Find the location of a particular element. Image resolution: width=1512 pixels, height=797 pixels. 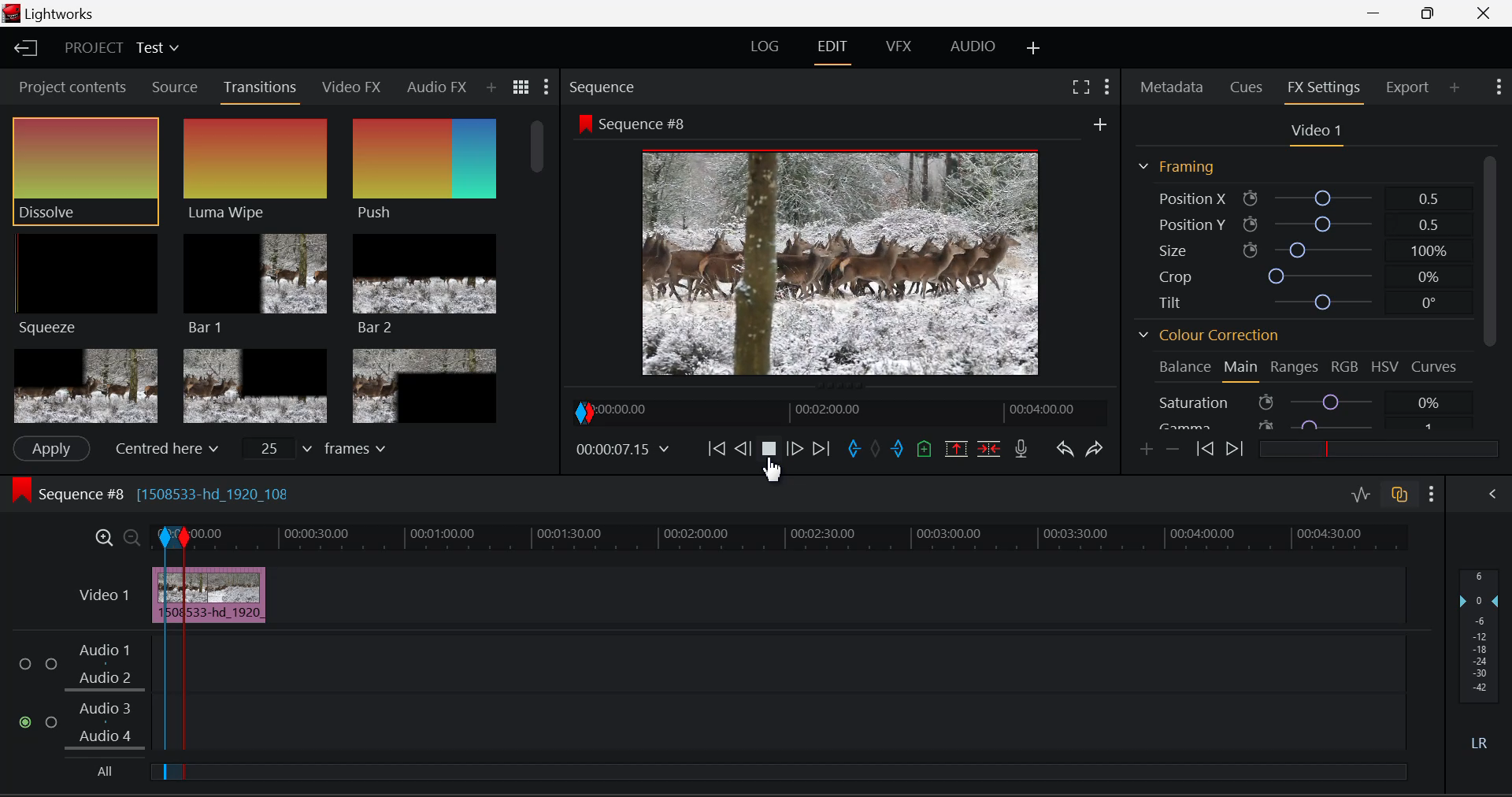

Next keyframe is located at coordinates (1232, 449).